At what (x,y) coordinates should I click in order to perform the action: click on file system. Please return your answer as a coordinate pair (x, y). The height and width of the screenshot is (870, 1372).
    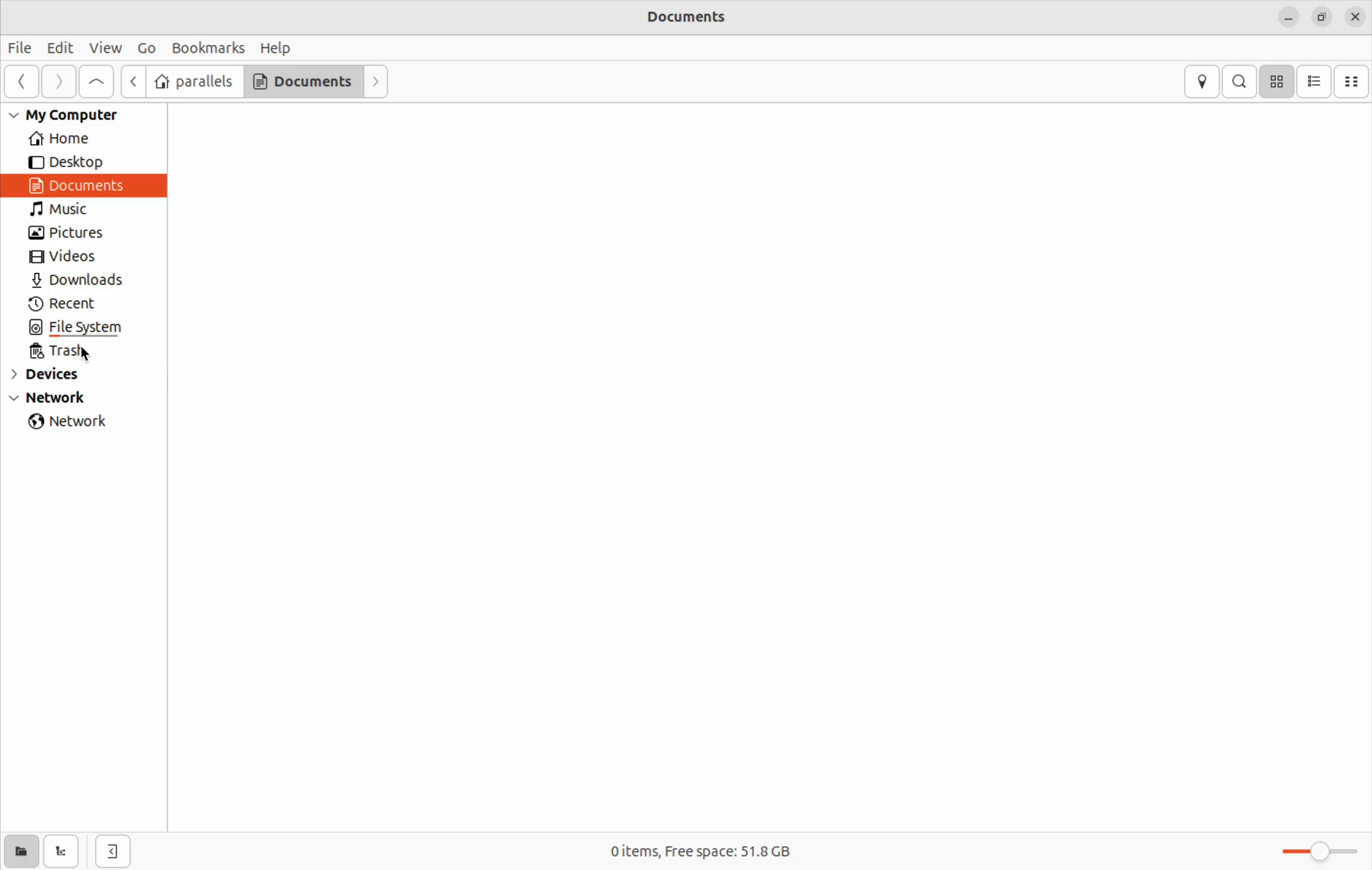
    Looking at the image, I should click on (86, 328).